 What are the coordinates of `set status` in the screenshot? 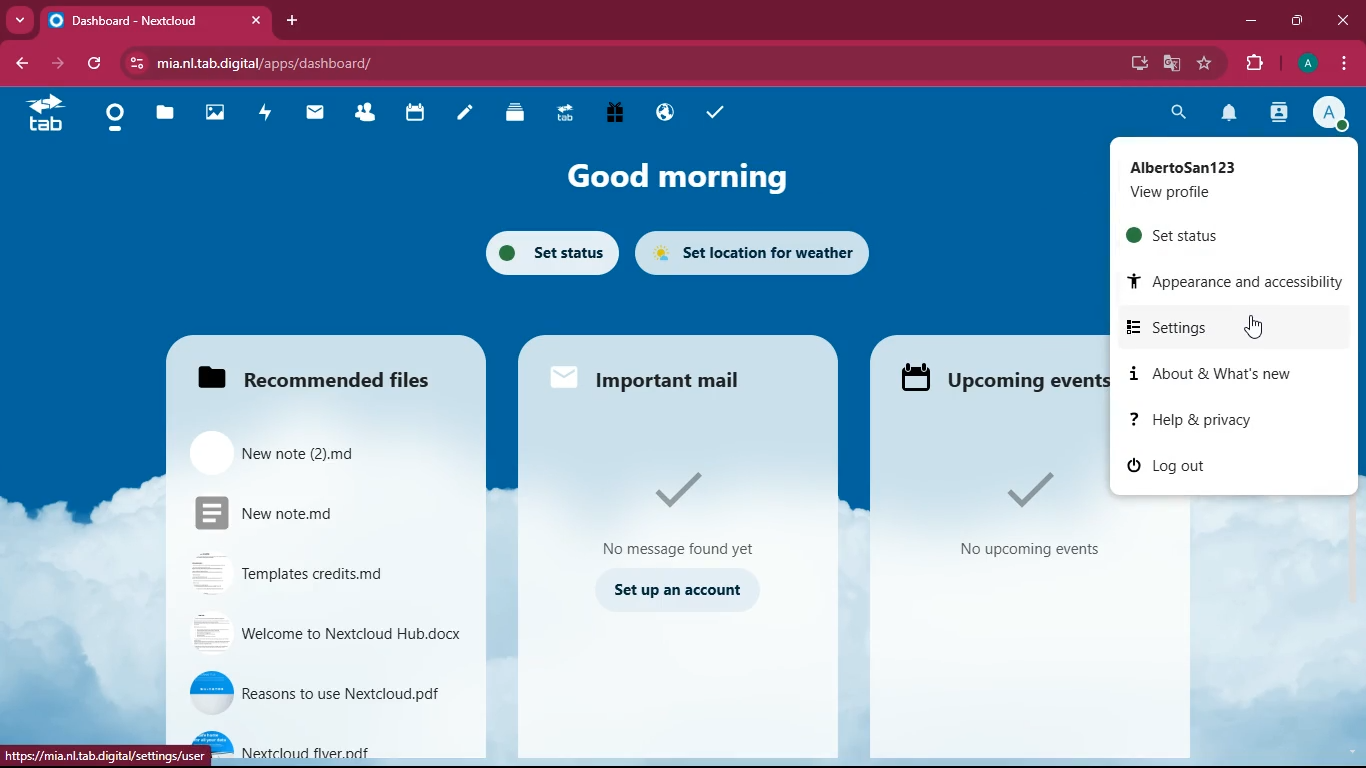 It's located at (550, 251).